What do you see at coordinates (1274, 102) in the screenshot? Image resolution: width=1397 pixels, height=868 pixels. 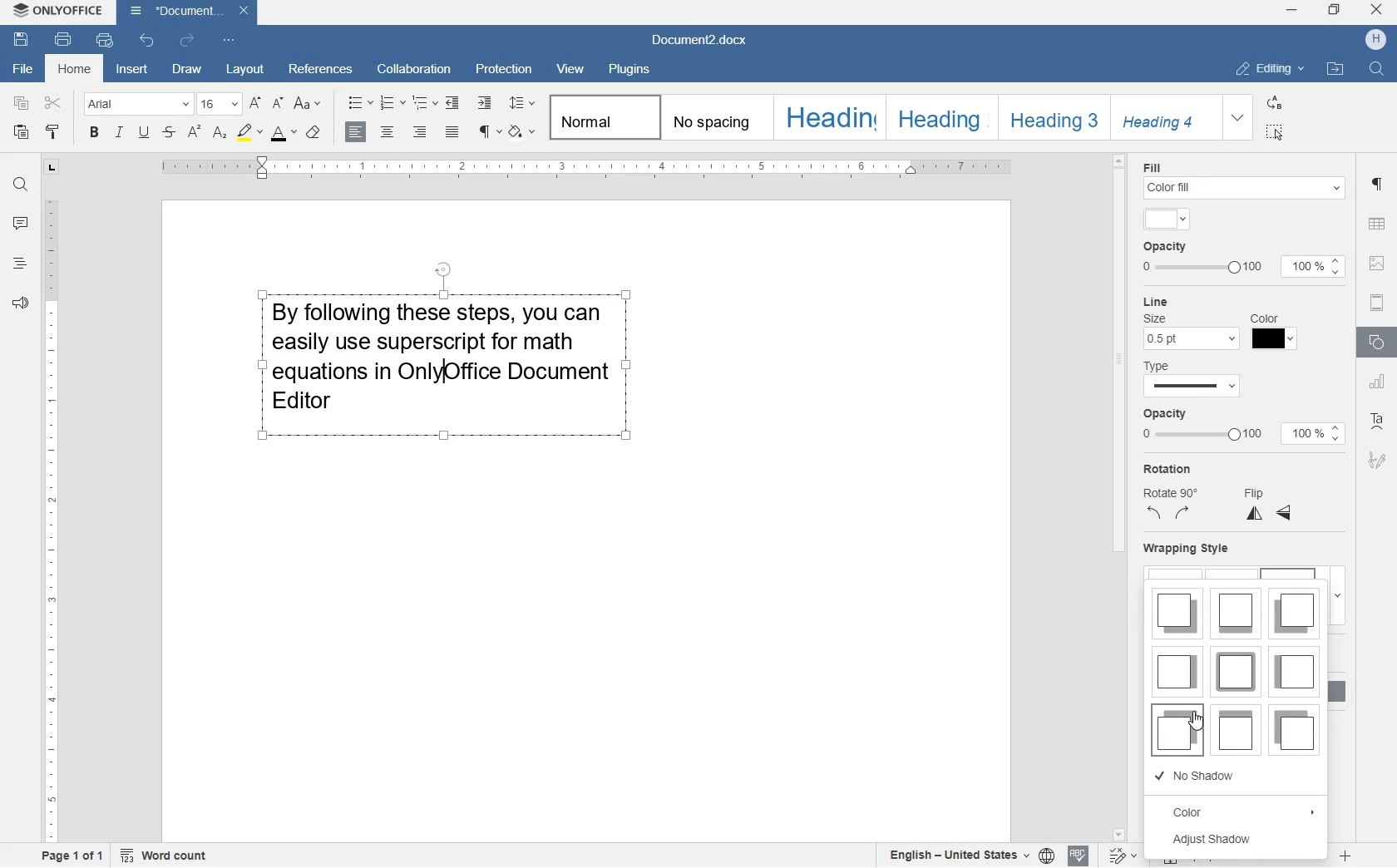 I see `REPLACE` at bounding box center [1274, 102].